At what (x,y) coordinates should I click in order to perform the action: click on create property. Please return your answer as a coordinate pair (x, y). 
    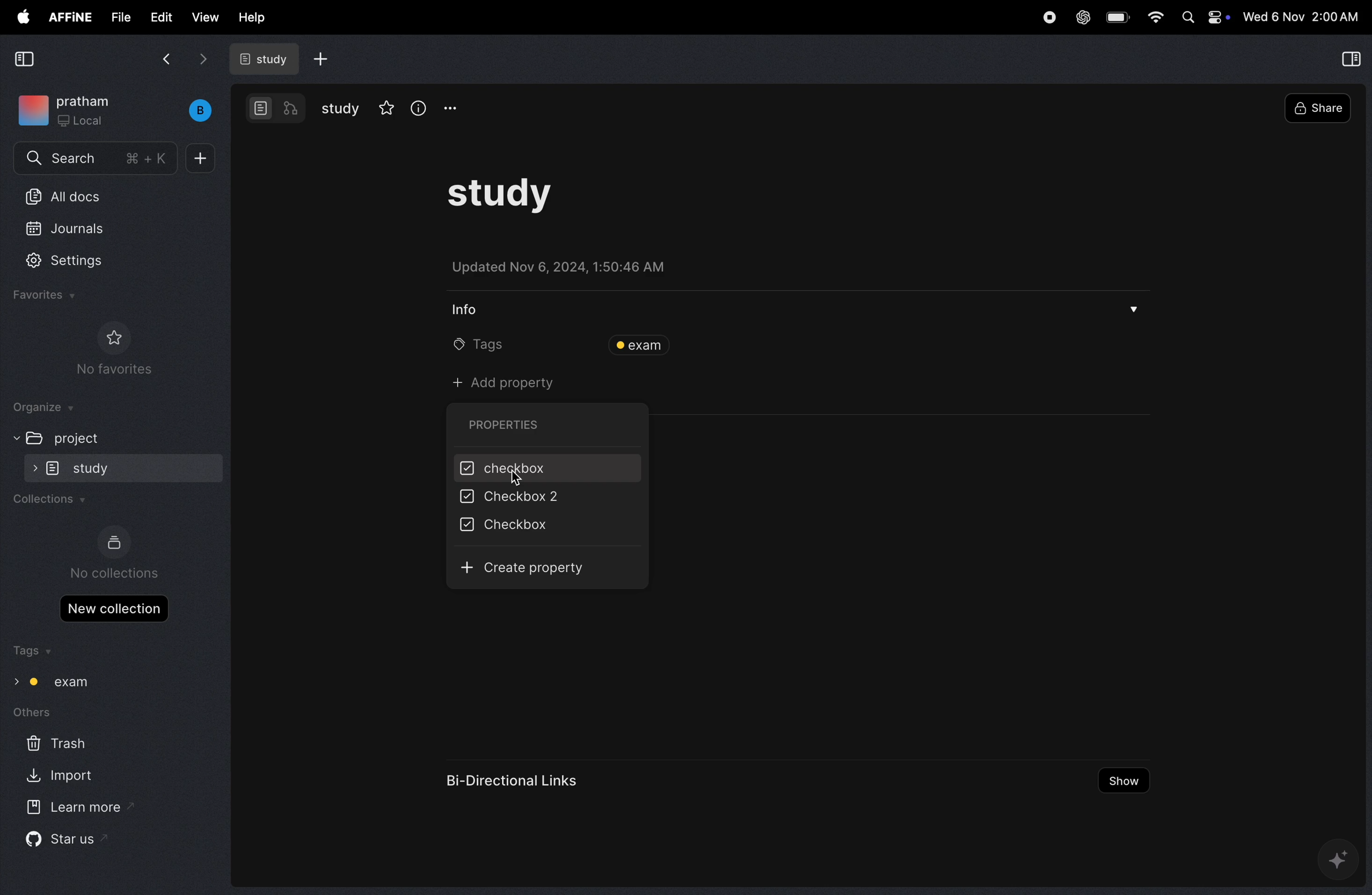
    Looking at the image, I should click on (542, 567).